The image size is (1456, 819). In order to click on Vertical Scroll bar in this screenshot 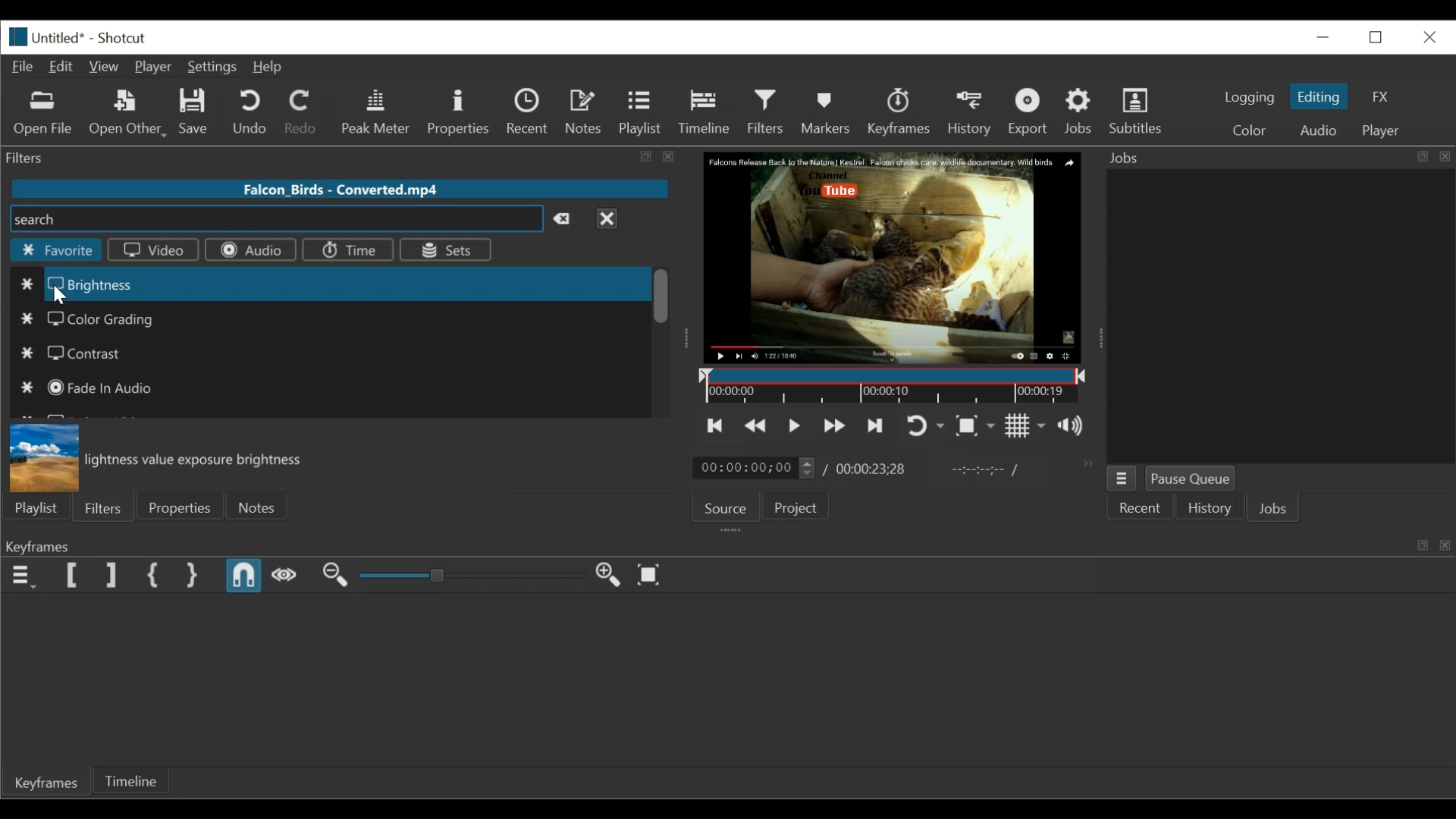, I will do `click(661, 296)`.